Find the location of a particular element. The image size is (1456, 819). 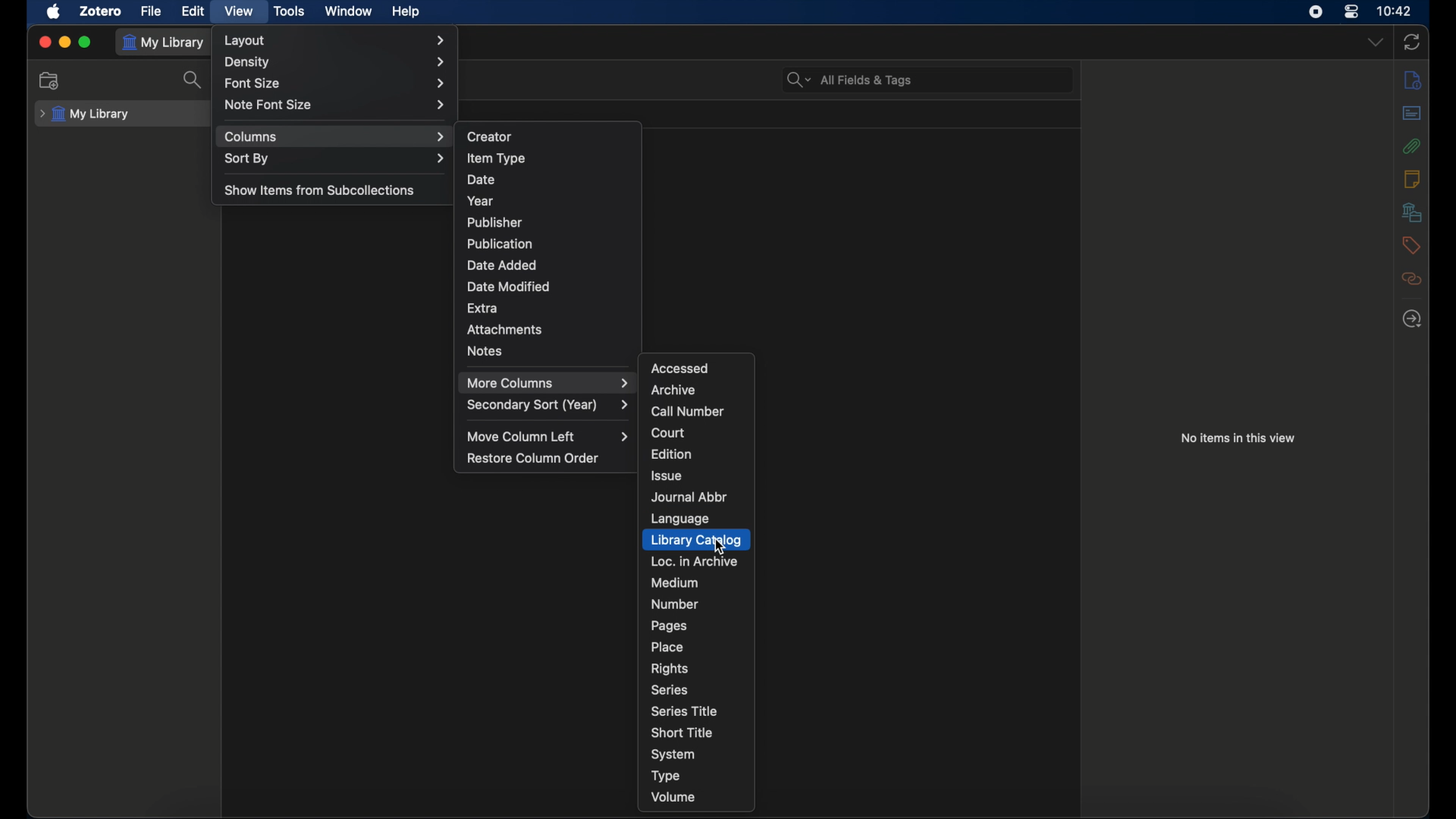

columns is located at coordinates (335, 136).